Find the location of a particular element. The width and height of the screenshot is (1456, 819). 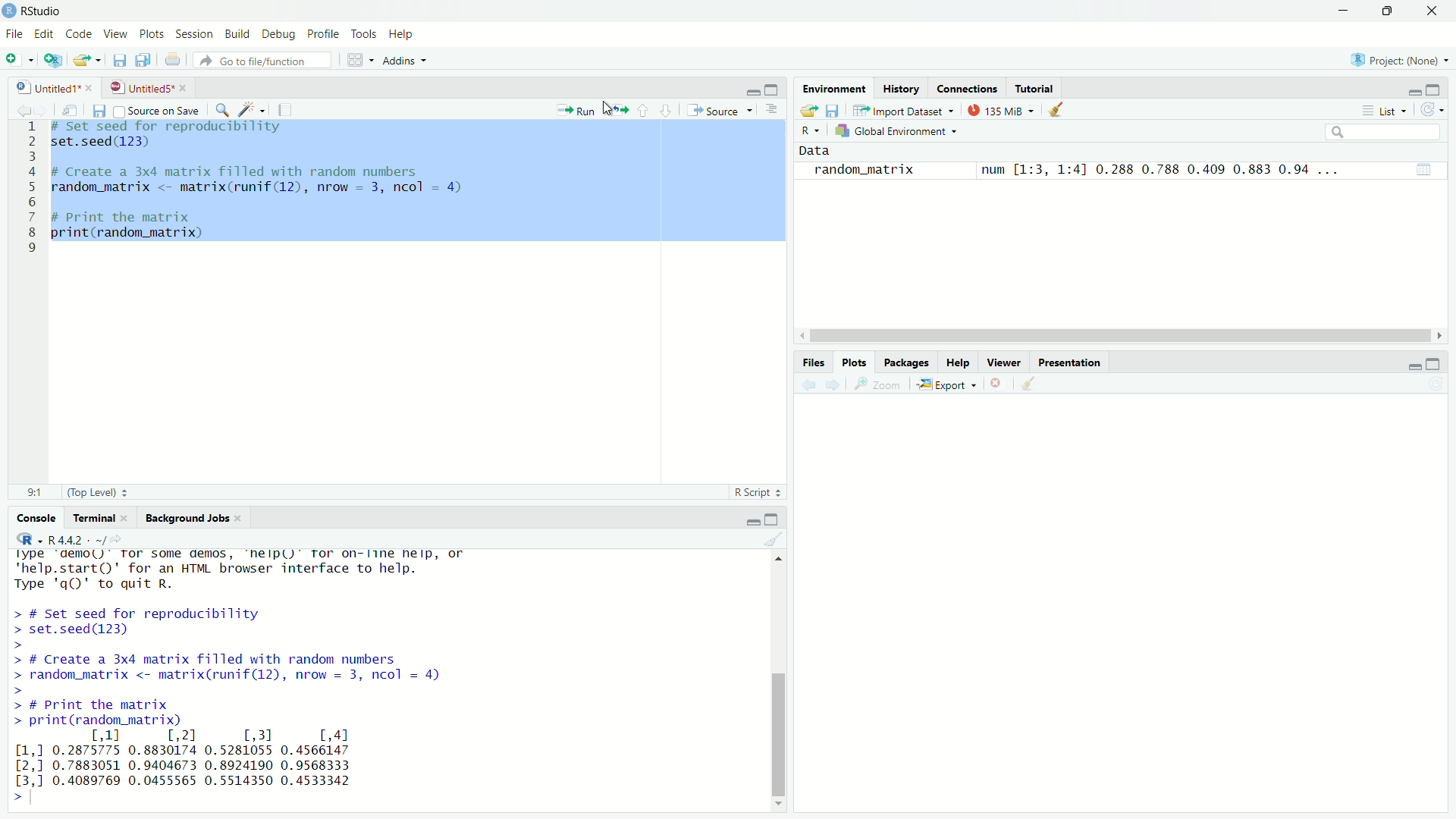

export is located at coordinates (86, 59).